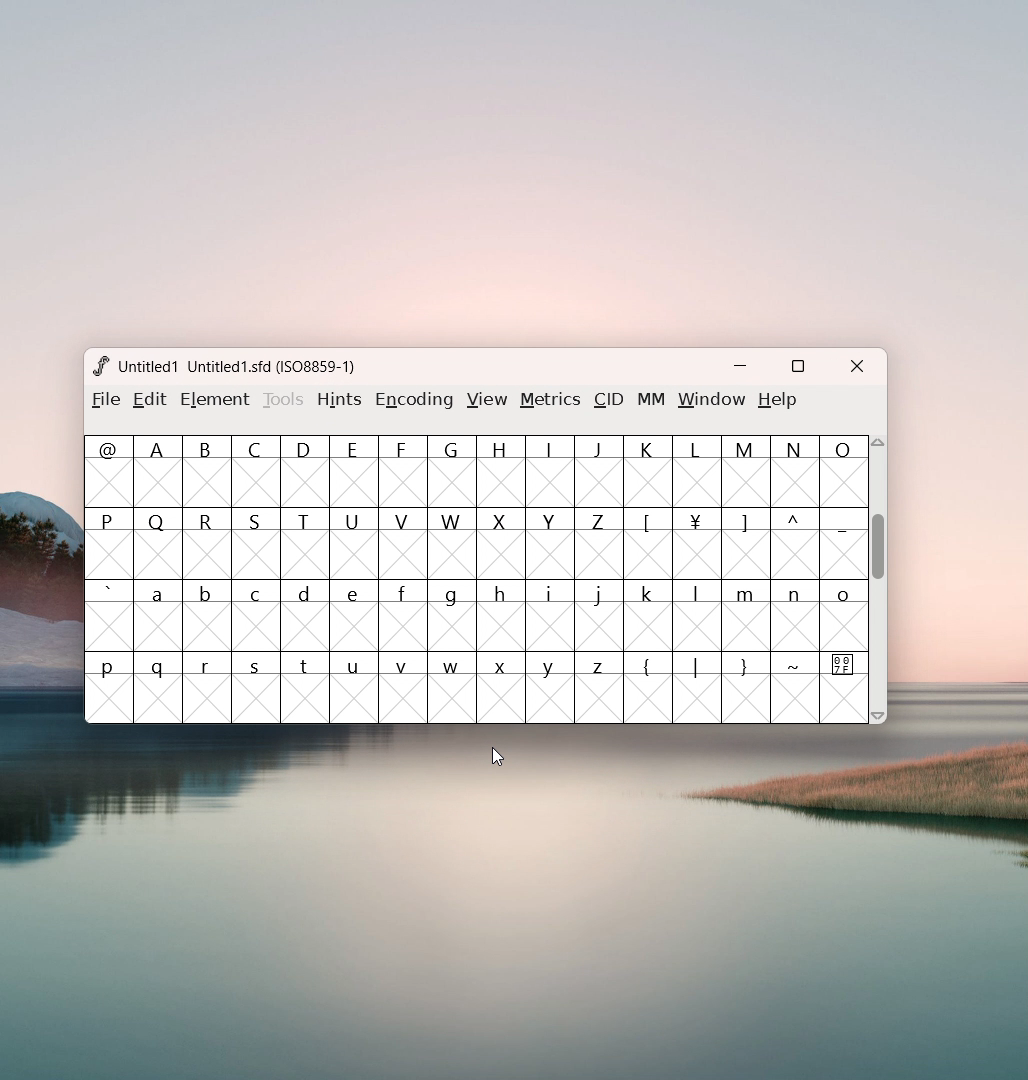 This screenshot has width=1028, height=1080. What do you see at coordinates (600, 544) in the screenshot?
I see `Z` at bounding box center [600, 544].